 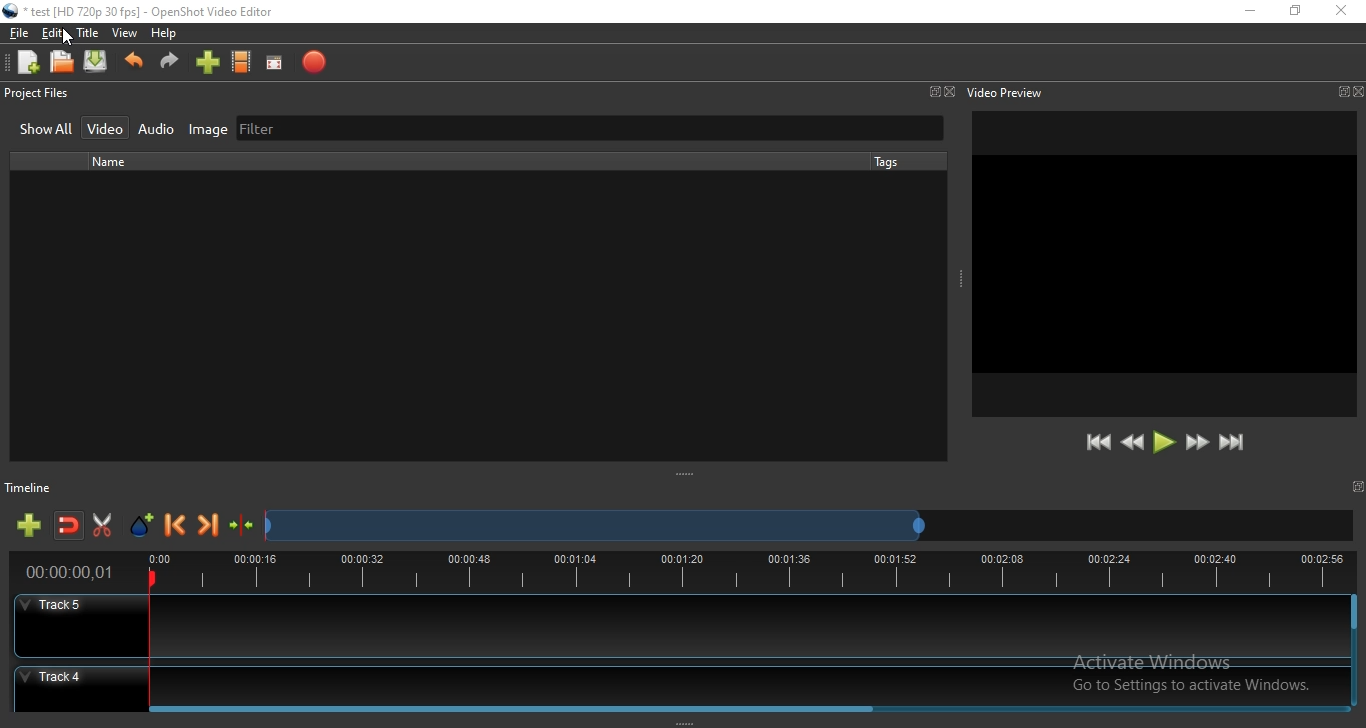 What do you see at coordinates (203, 130) in the screenshot?
I see `Image` at bounding box center [203, 130].